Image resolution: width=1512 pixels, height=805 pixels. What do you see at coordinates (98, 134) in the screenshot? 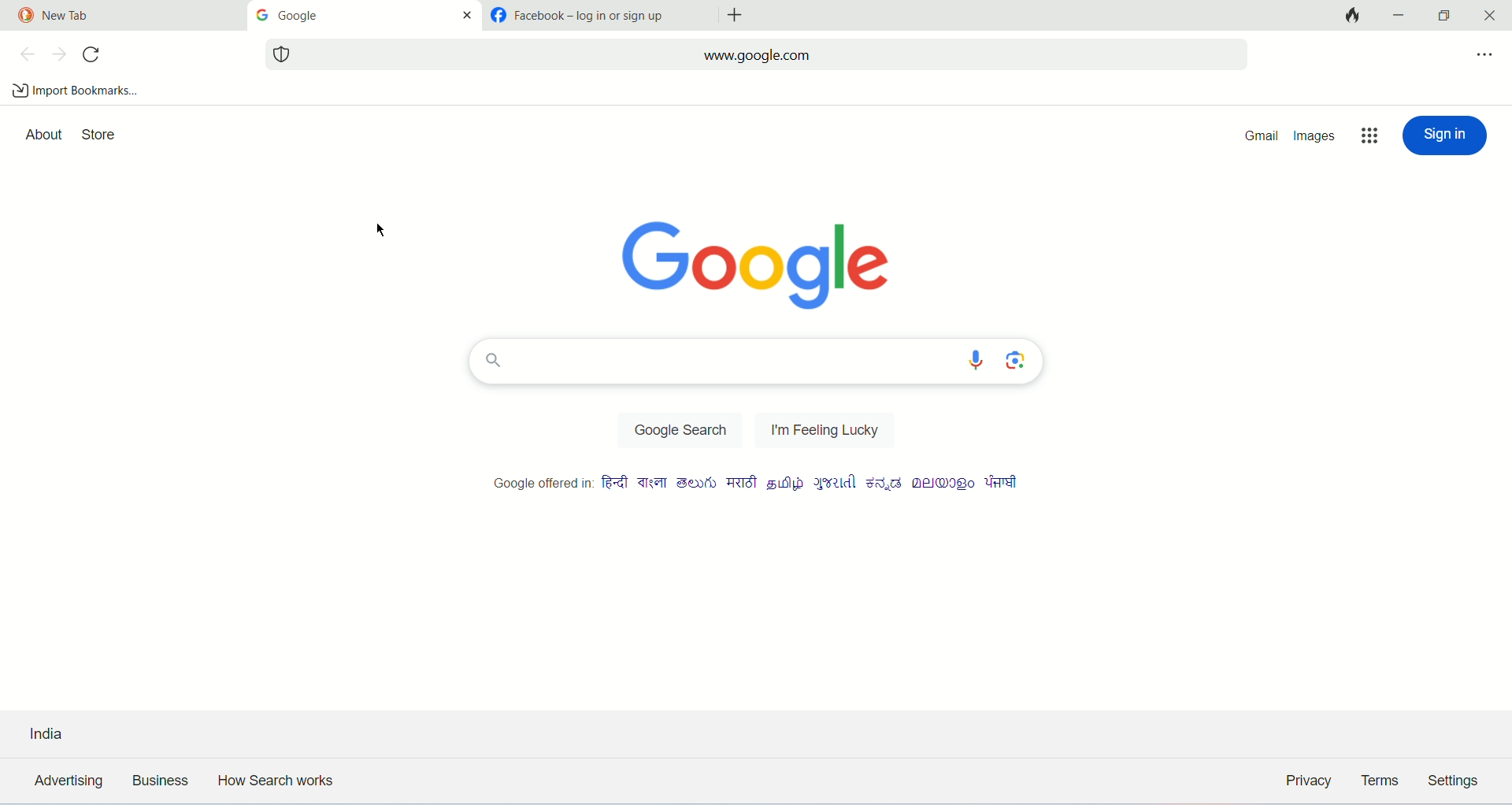
I see `store` at bounding box center [98, 134].